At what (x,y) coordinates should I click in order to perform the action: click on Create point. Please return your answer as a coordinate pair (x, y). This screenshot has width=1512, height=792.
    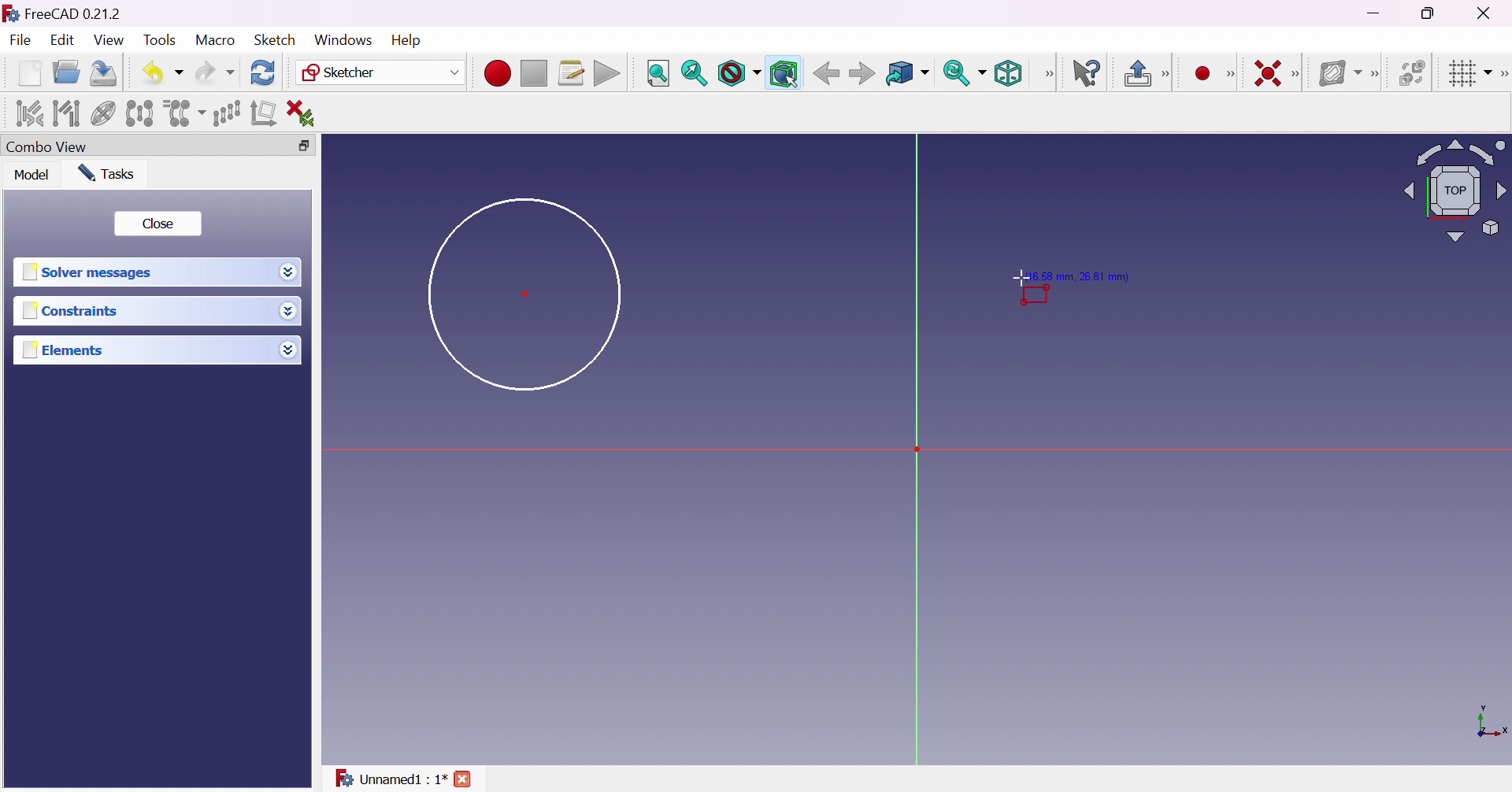
    Looking at the image, I should click on (1203, 74).